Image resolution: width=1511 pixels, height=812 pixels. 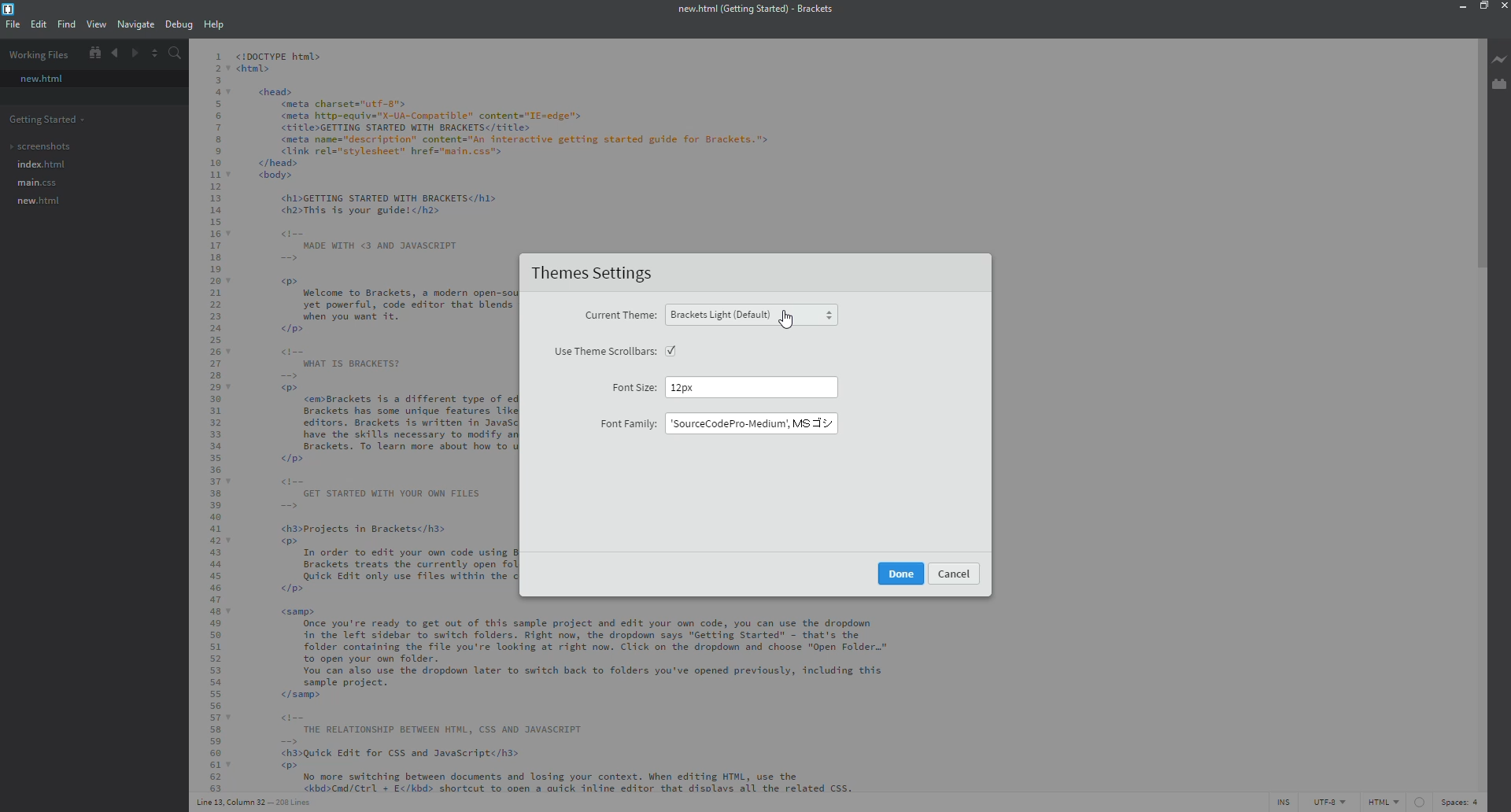 I want to click on show in file tree, so click(x=94, y=53).